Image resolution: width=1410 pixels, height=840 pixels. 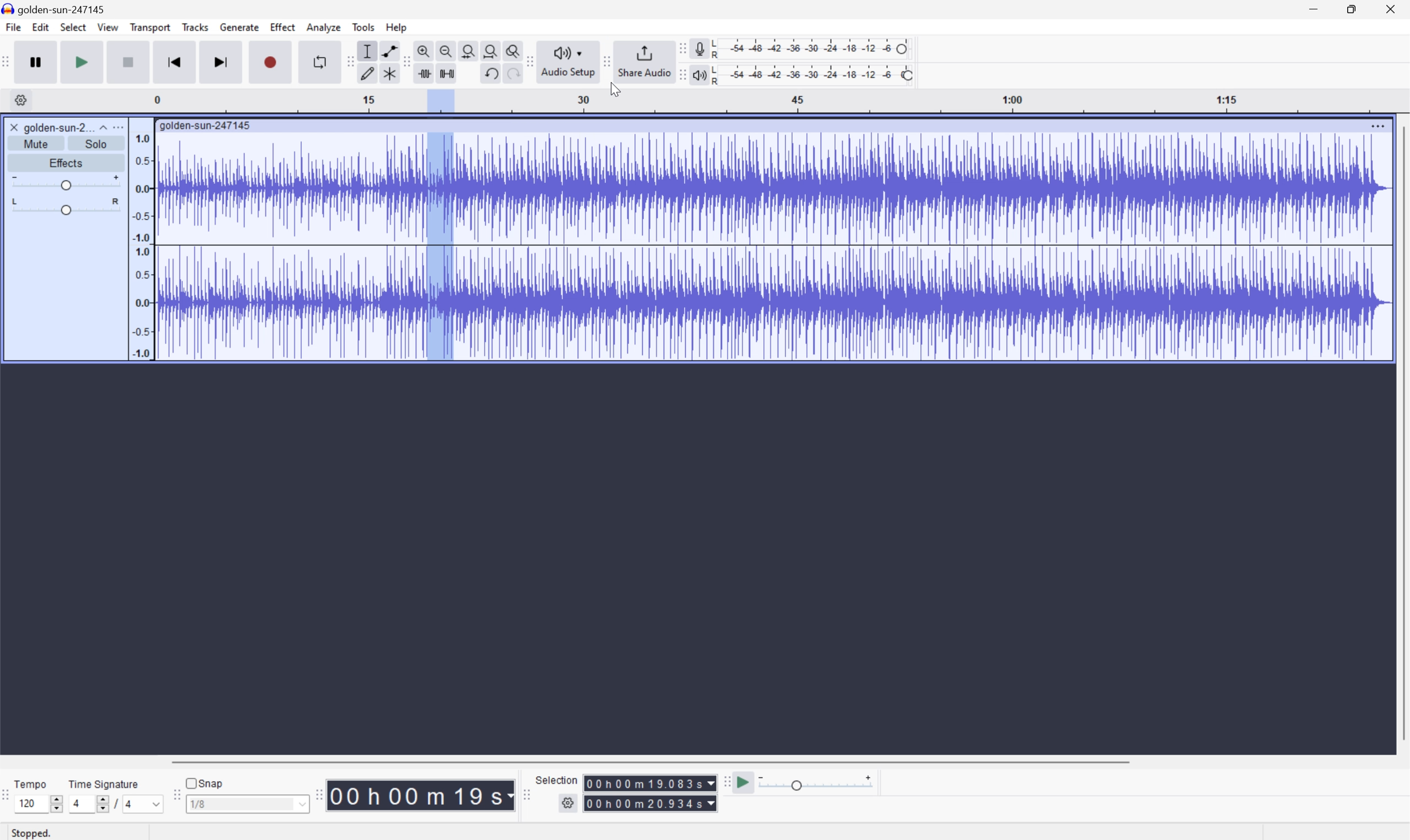 What do you see at coordinates (241, 27) in the screenshot?
I see `Generate` at bounding box center [241, 27].